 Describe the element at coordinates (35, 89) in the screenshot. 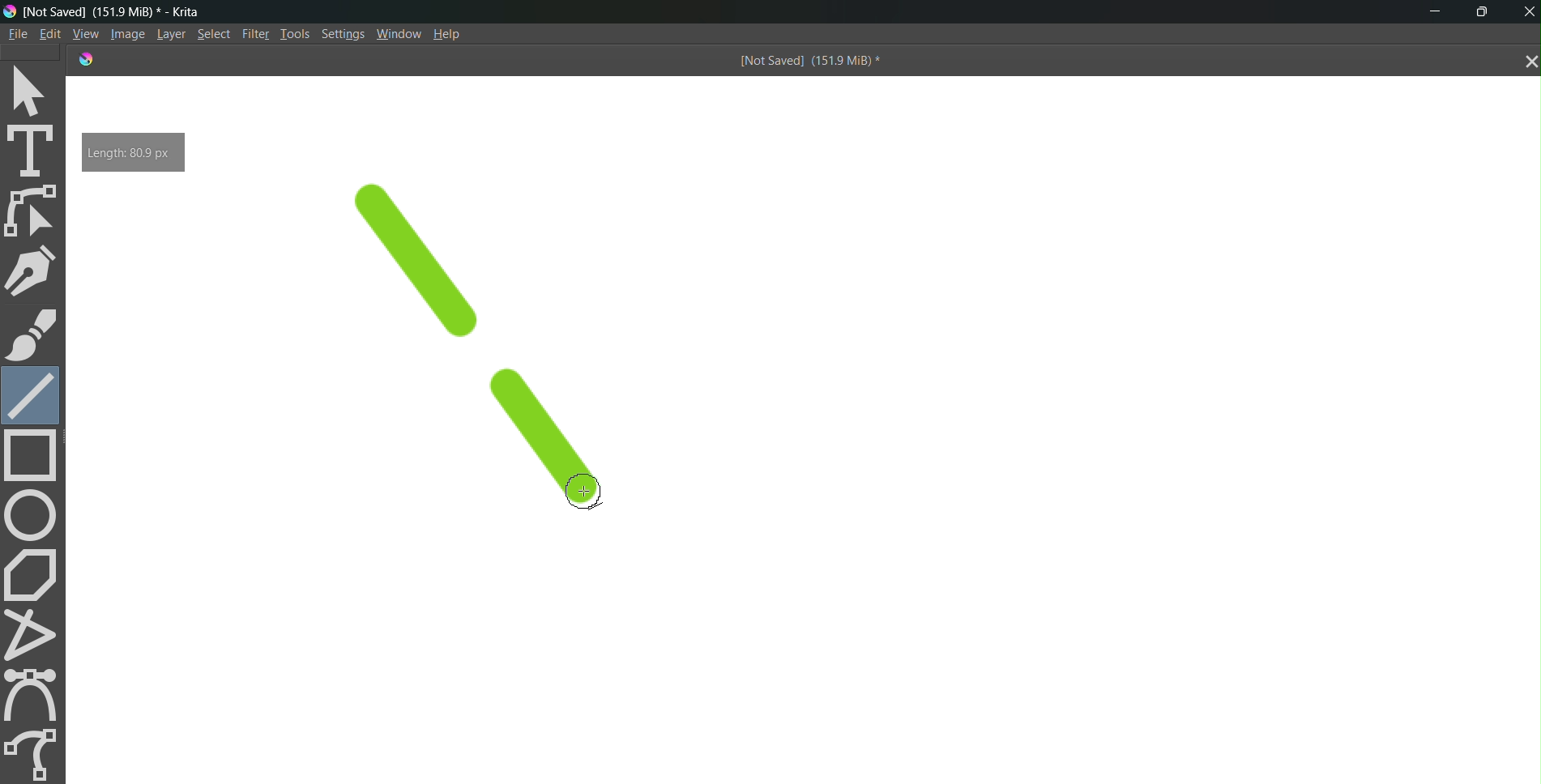

I see `select` at that location.